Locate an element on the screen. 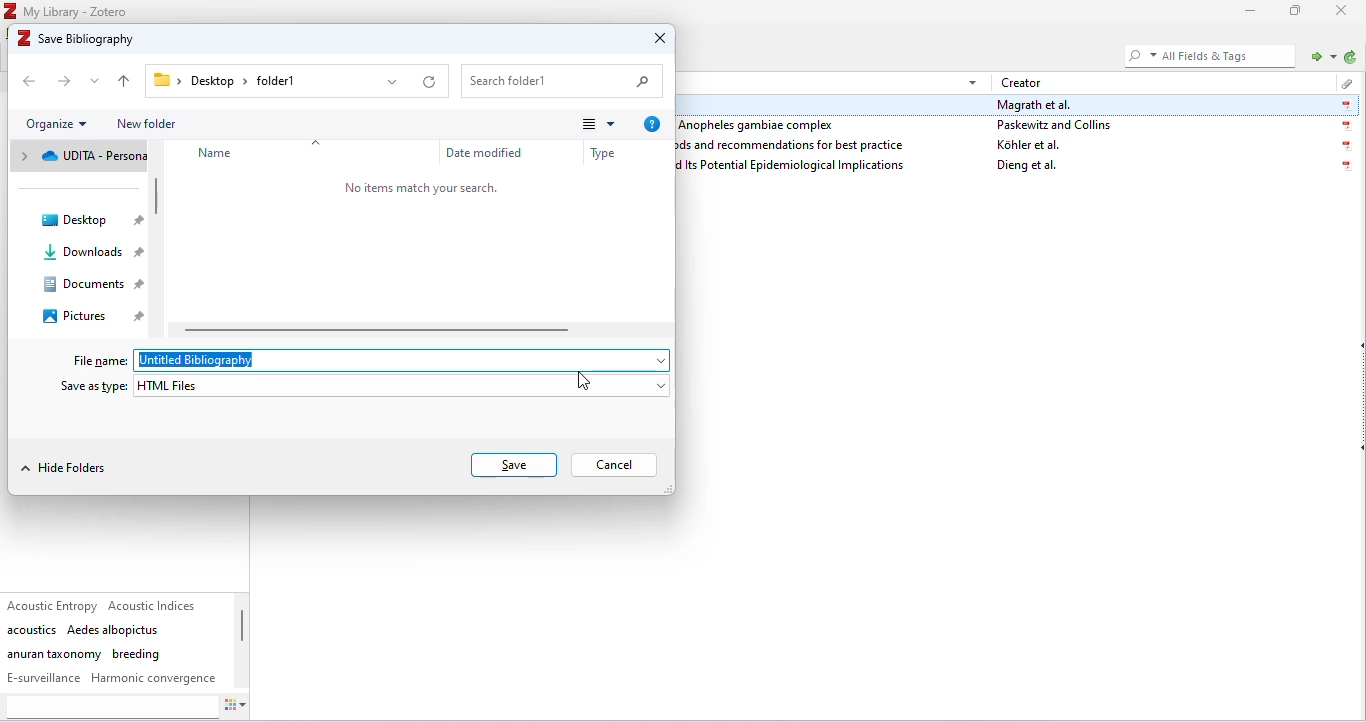  save is located at coordinates (511, 466).